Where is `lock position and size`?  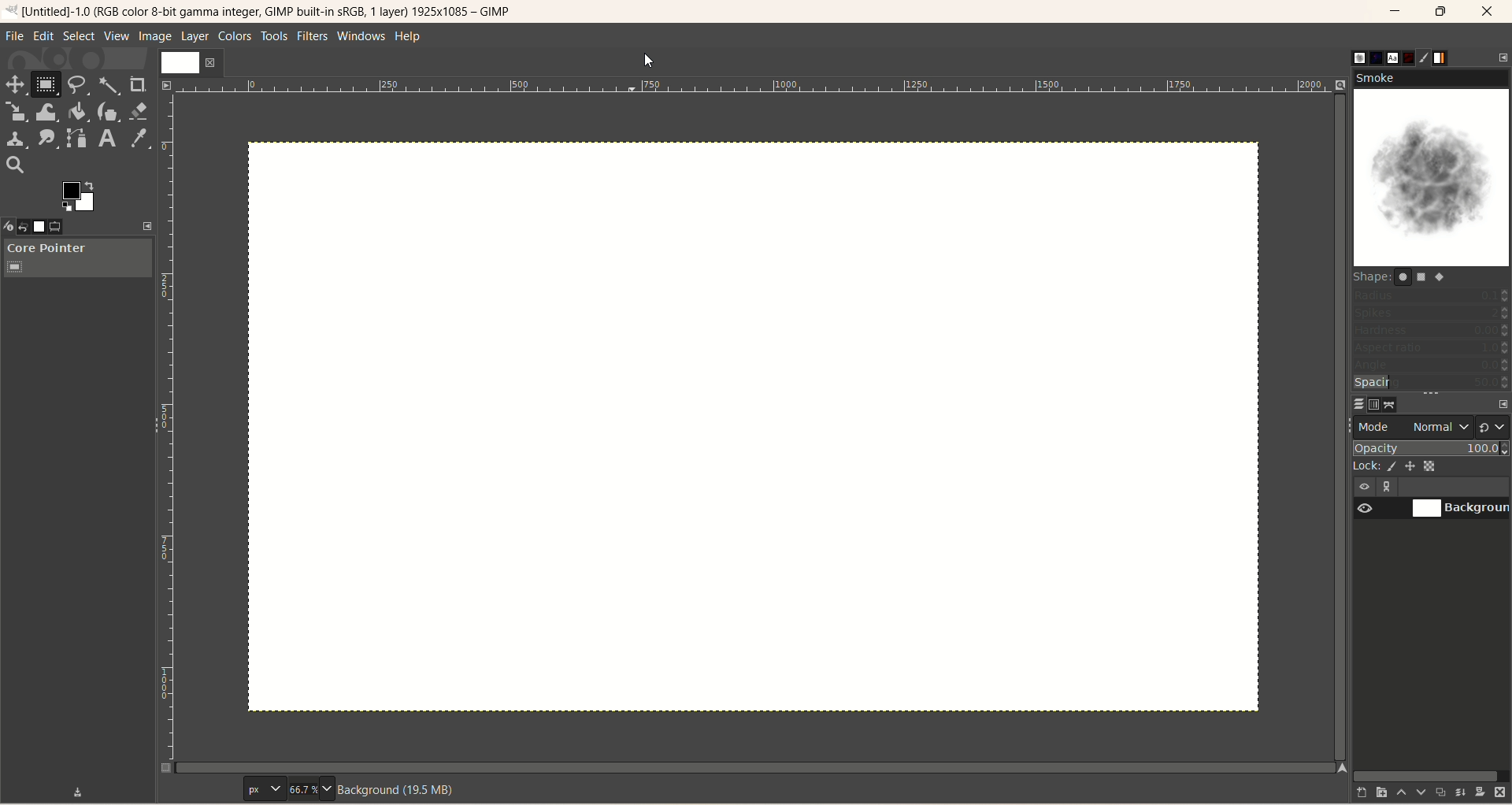
lock position and size is located at coordinates (1411, 469).